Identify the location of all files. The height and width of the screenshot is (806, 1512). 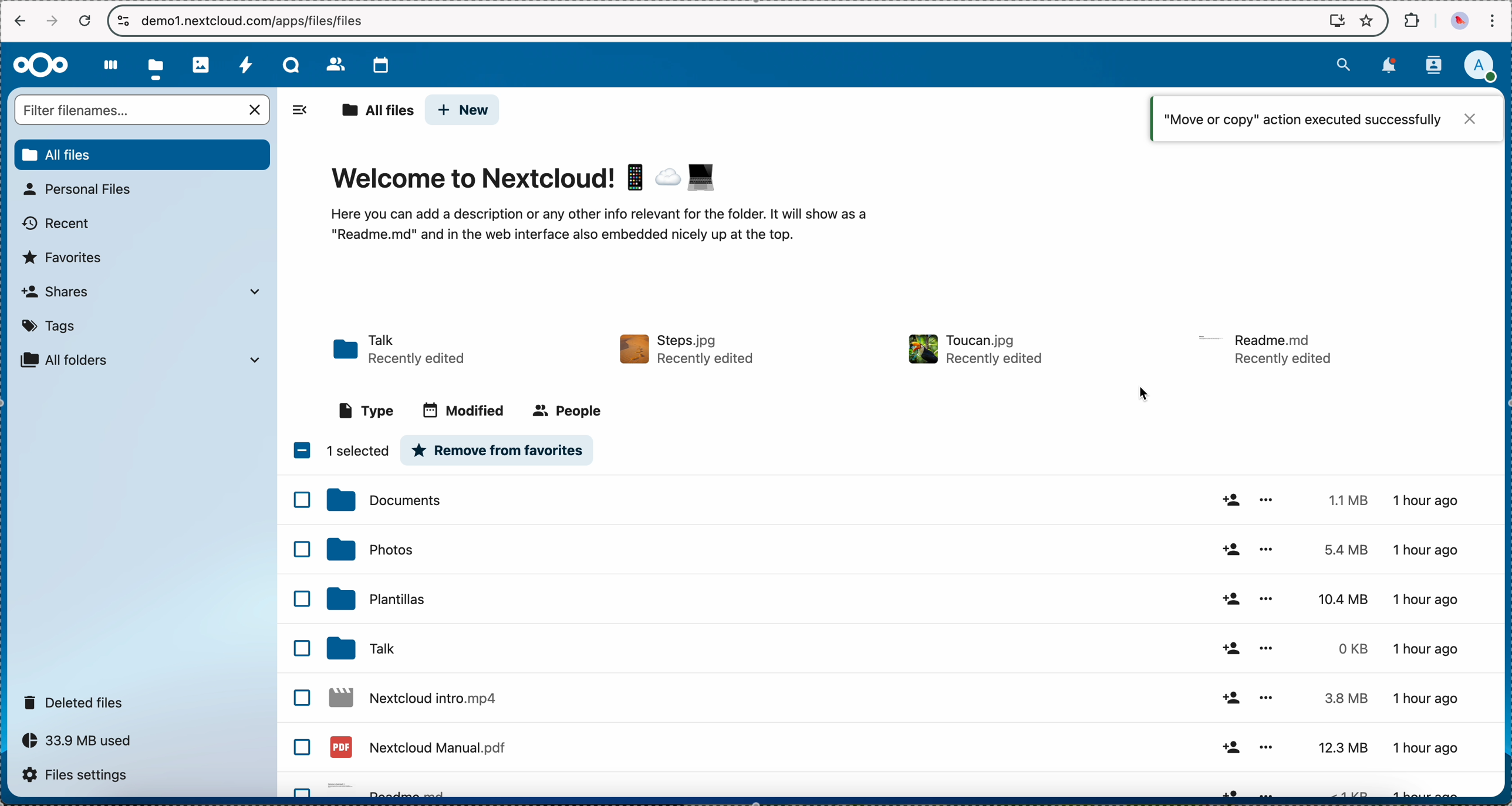
(141, 155).